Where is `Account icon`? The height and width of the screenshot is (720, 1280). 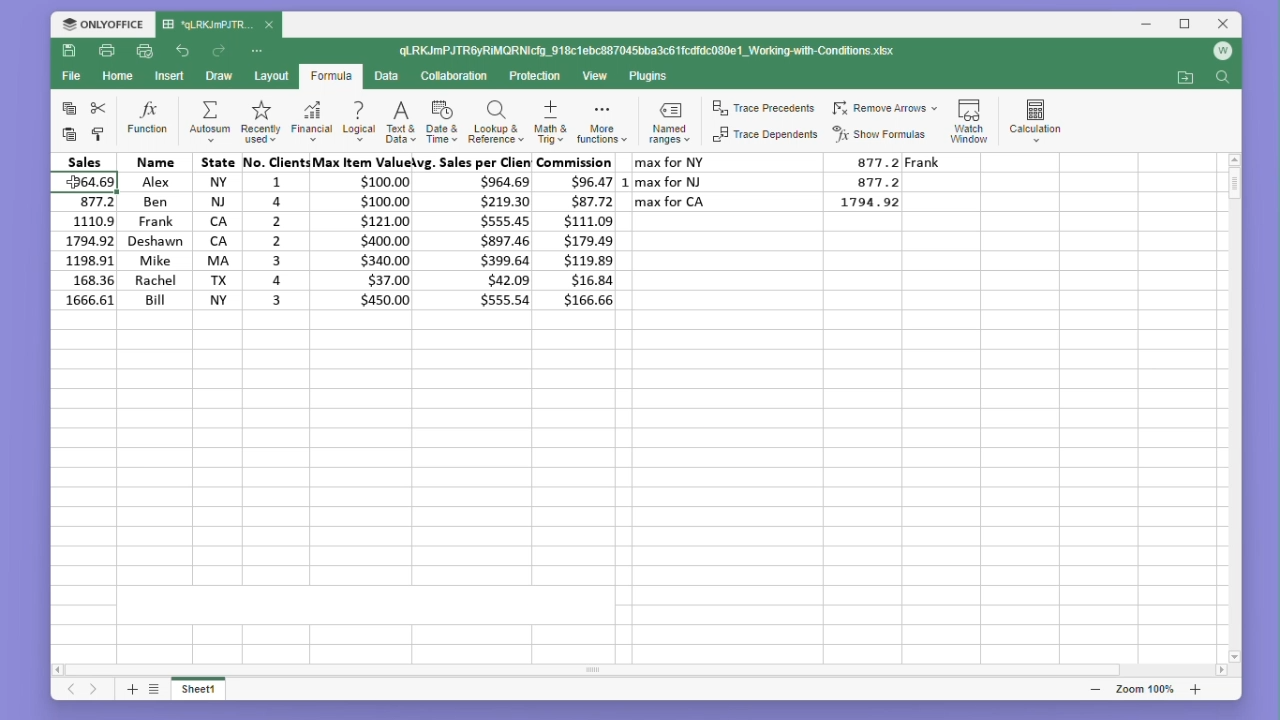 Account icon is located at coordinates (1218, 54).